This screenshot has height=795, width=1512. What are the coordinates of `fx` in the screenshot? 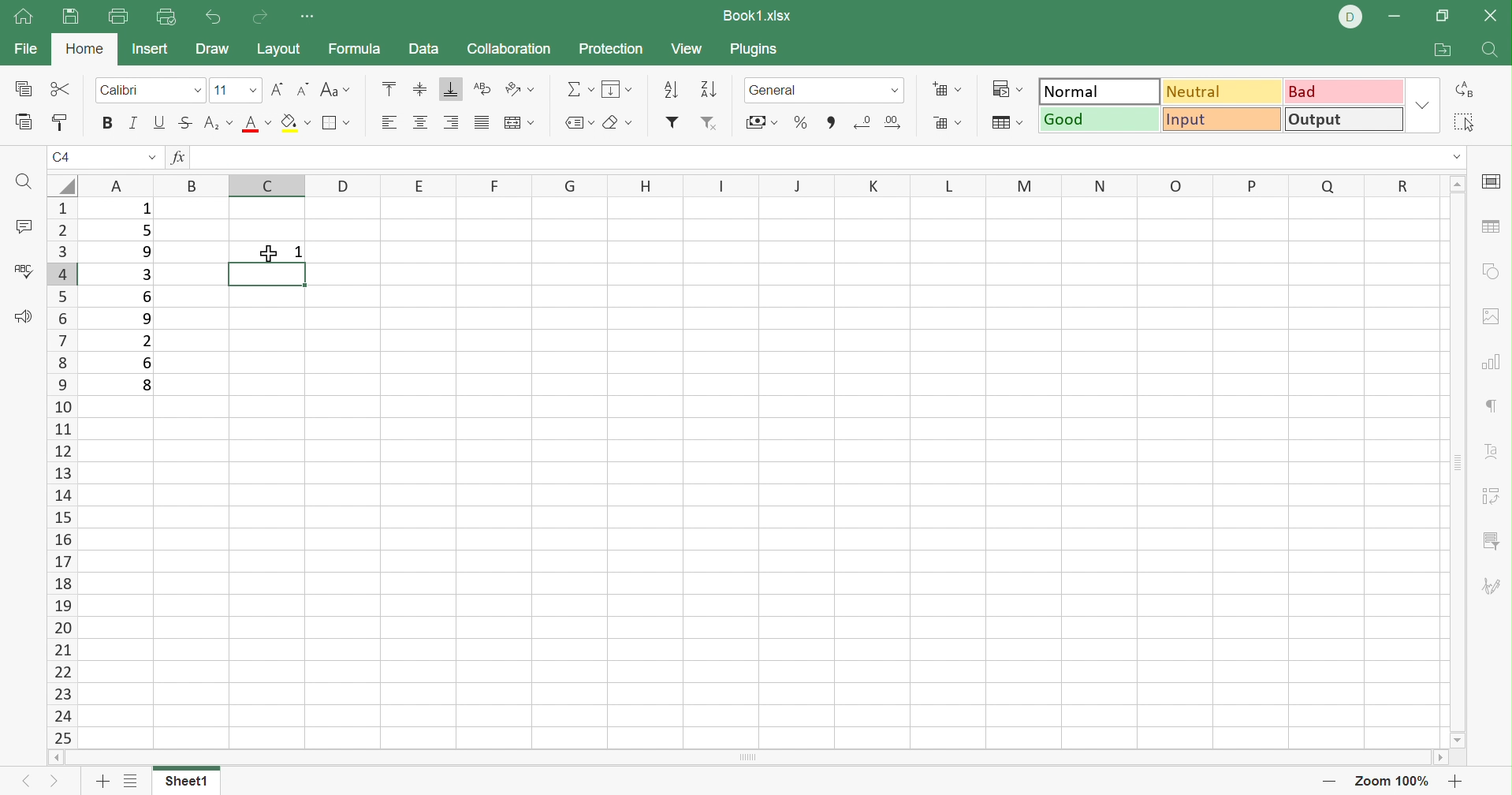 It's located at (177, 159).